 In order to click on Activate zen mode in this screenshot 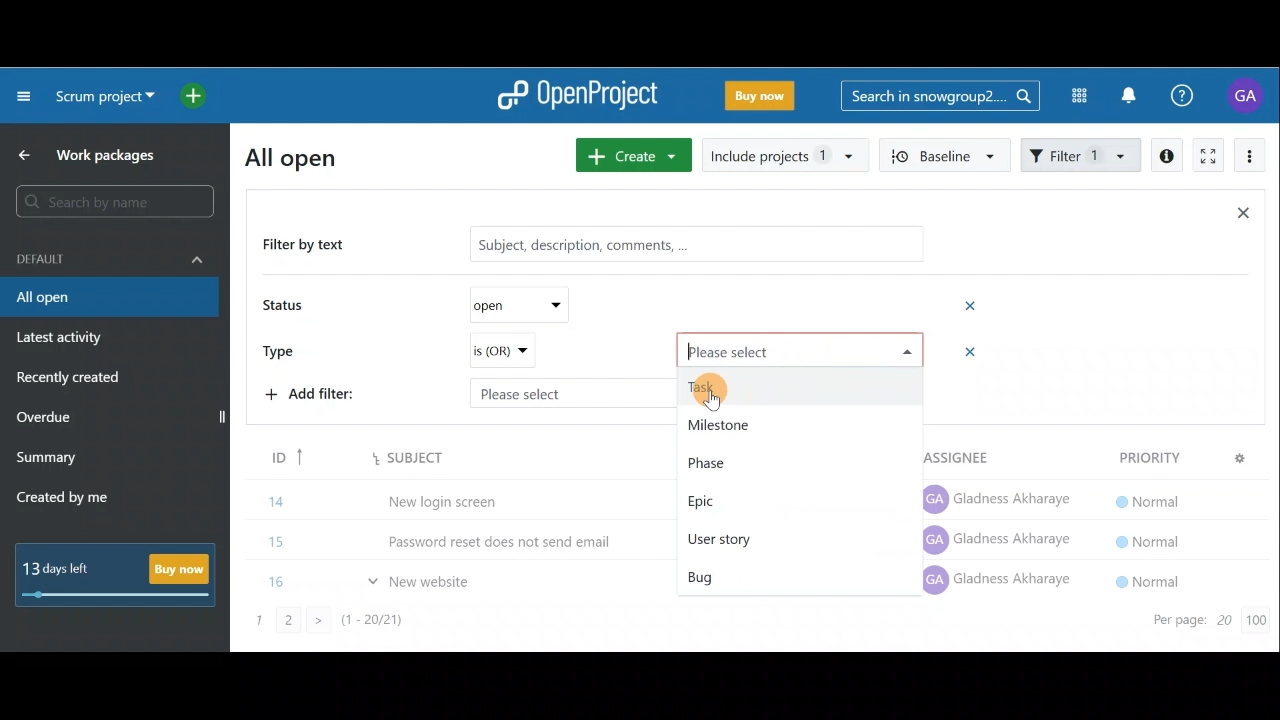, I will do `click(1206, 157)`.